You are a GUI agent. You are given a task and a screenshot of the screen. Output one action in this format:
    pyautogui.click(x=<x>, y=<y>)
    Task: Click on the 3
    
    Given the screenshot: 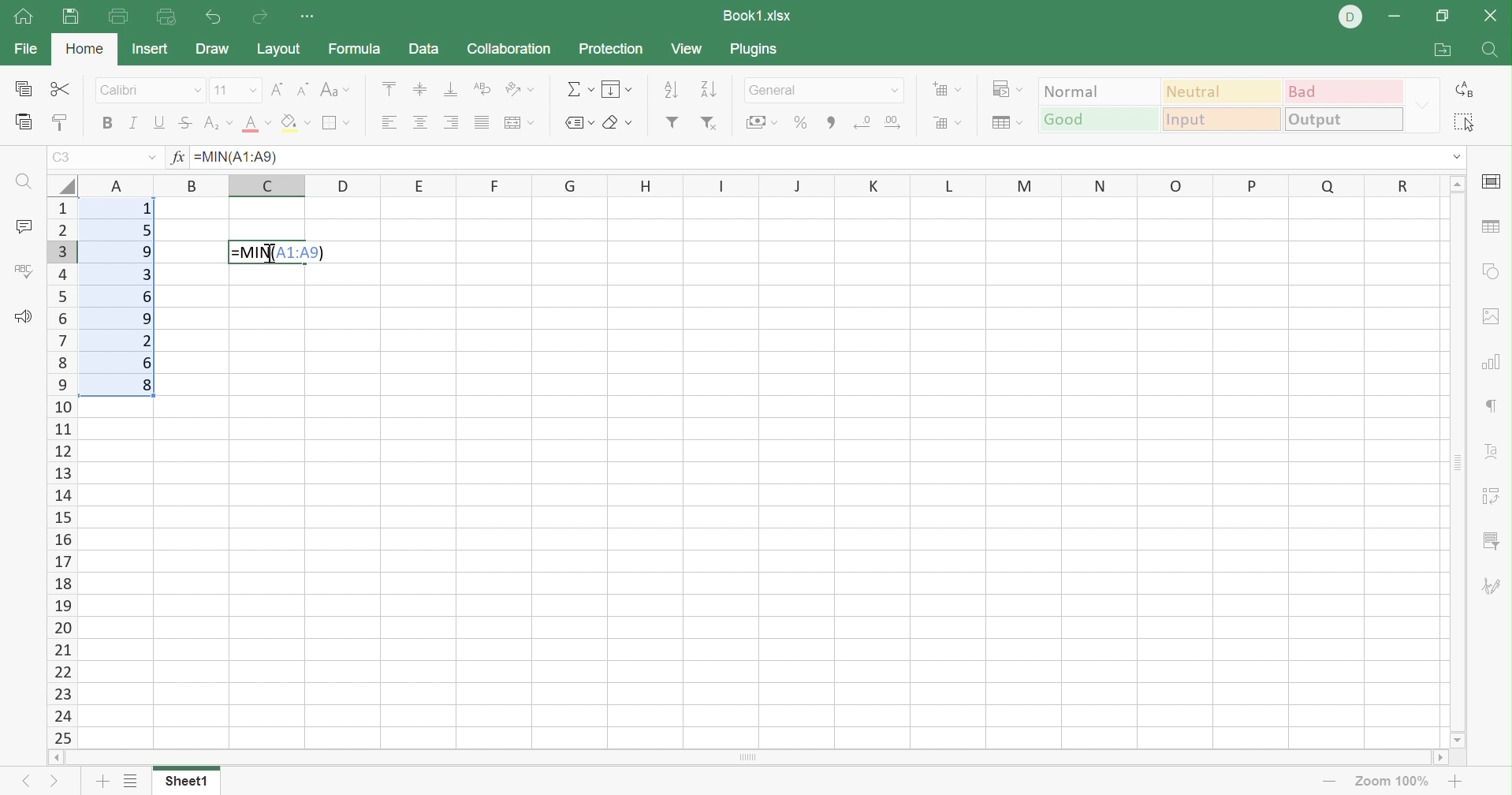 What is the action you would take?
    pyautogui.click(x=149, y=274)
    